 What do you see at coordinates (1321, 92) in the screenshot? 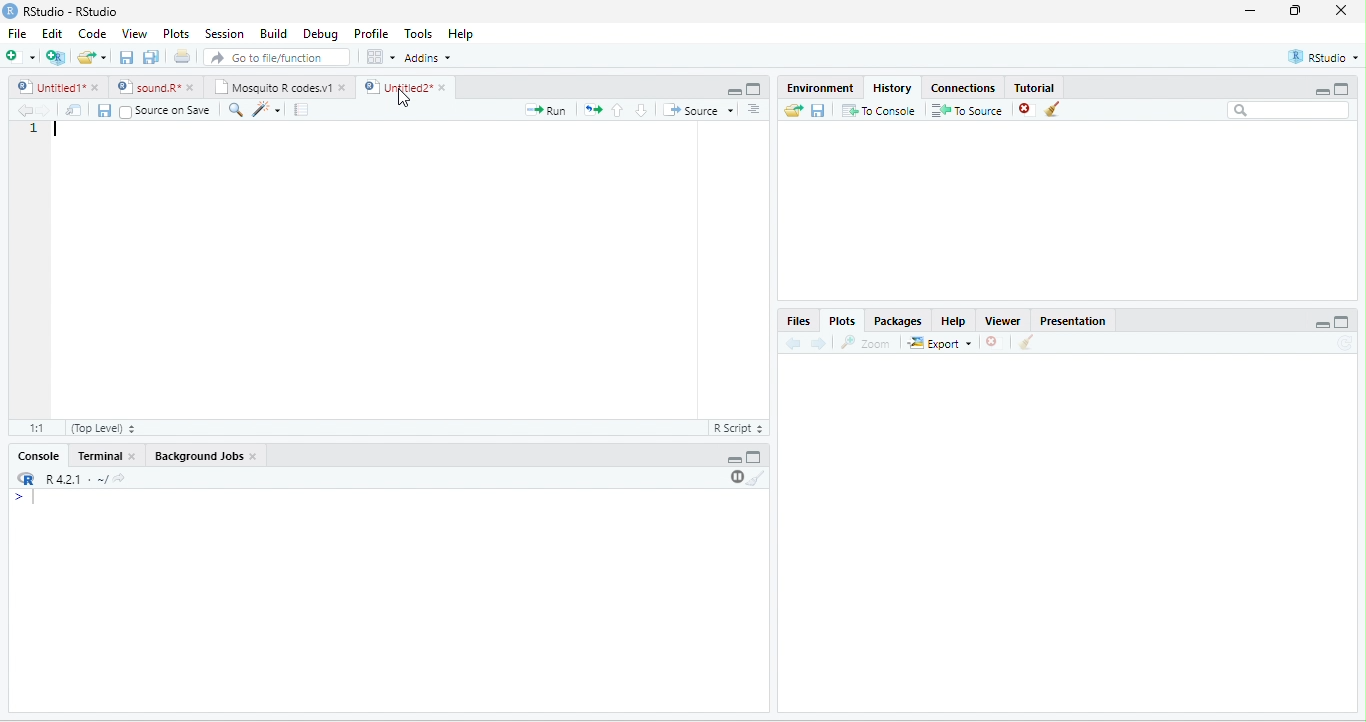
I see `minimize` at bounding box center [1321, 92].